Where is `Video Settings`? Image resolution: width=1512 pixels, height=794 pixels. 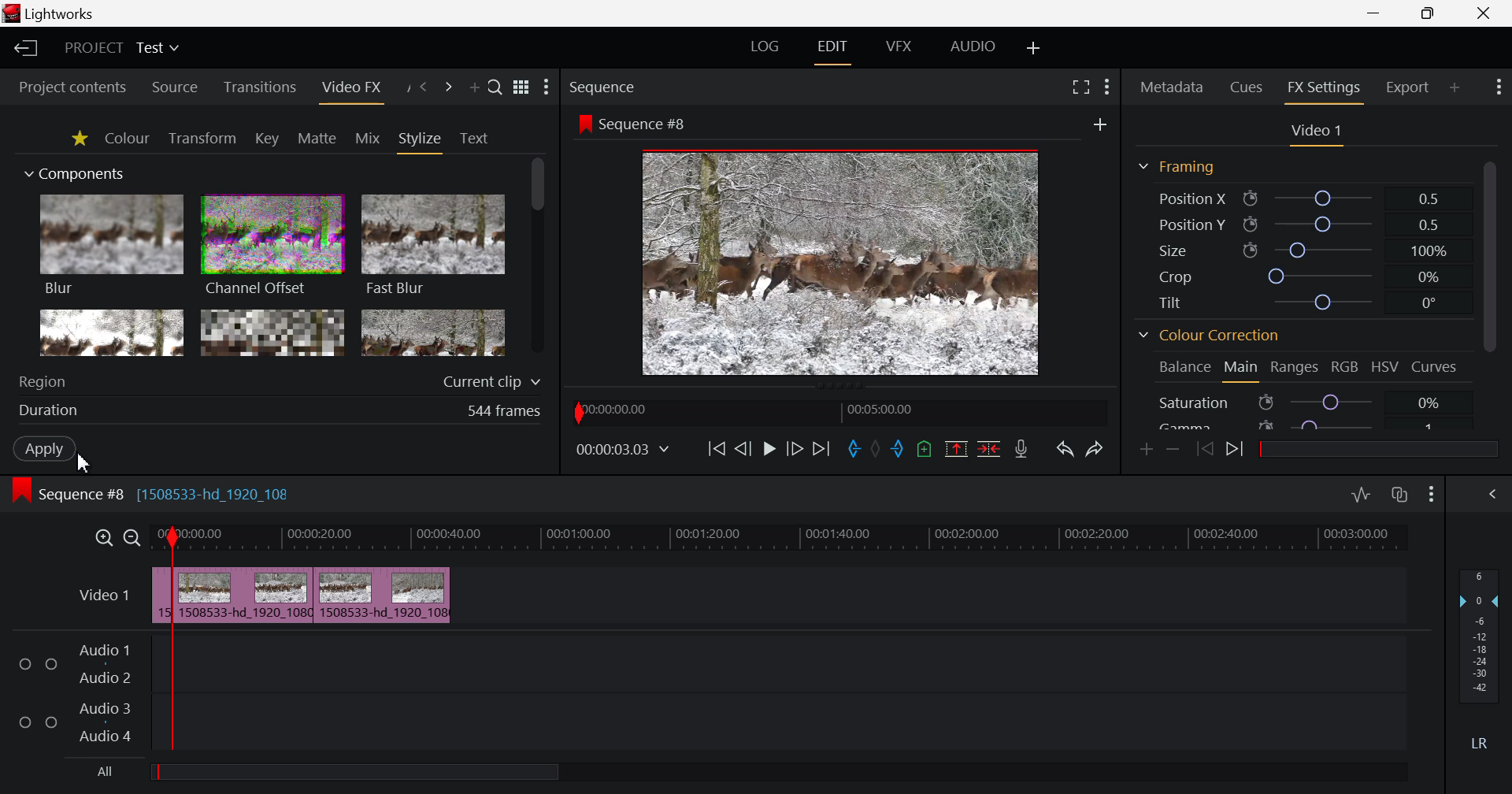
Video Settings is located at coordinates (1314, 133).